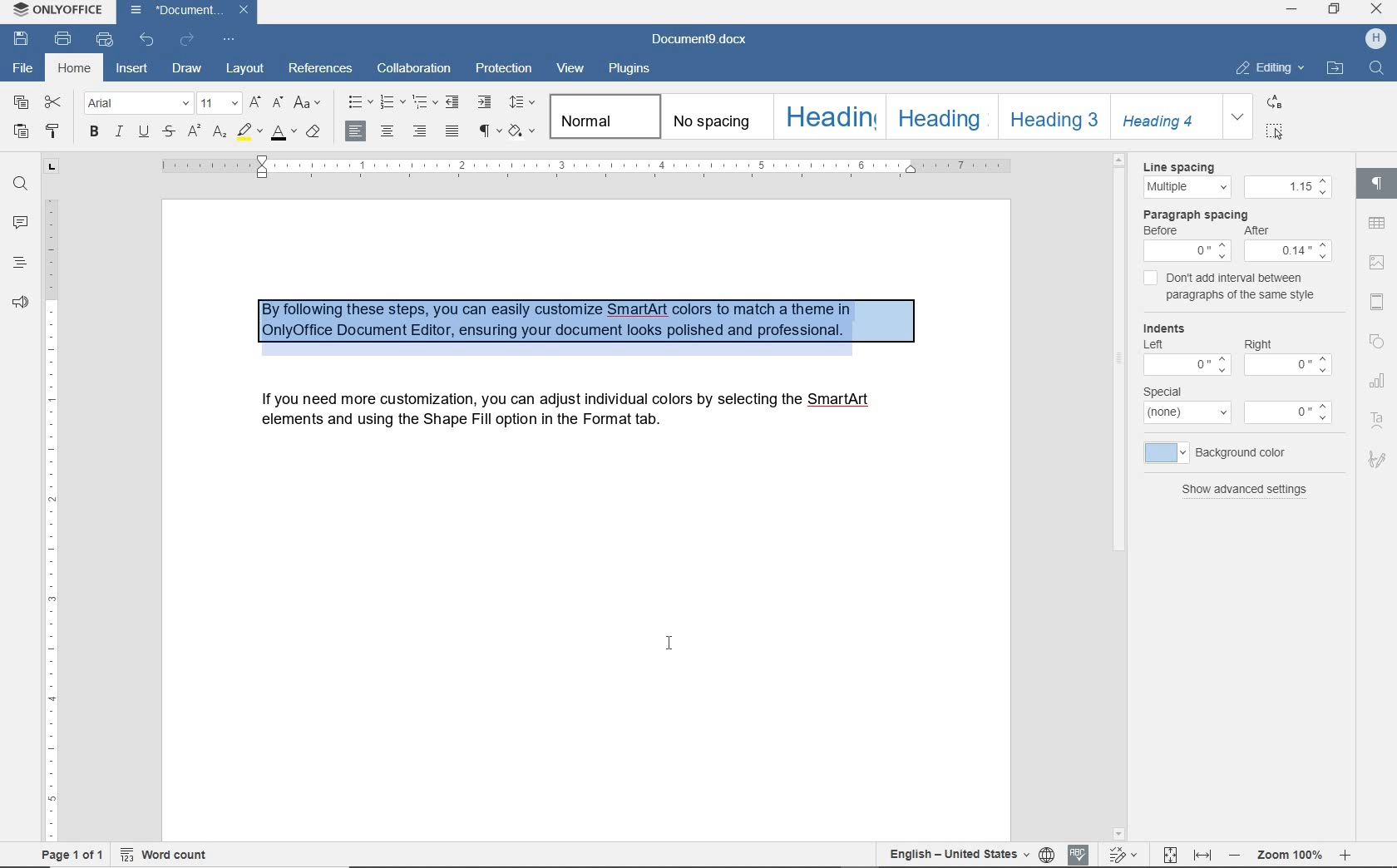 Image resolution: width=1397 pixels, height=868 pixels. What do you see at coordinates (1289, 854) in the screenshot?
I see `zoom out or zoom in` at bounding box center [1289, 854].